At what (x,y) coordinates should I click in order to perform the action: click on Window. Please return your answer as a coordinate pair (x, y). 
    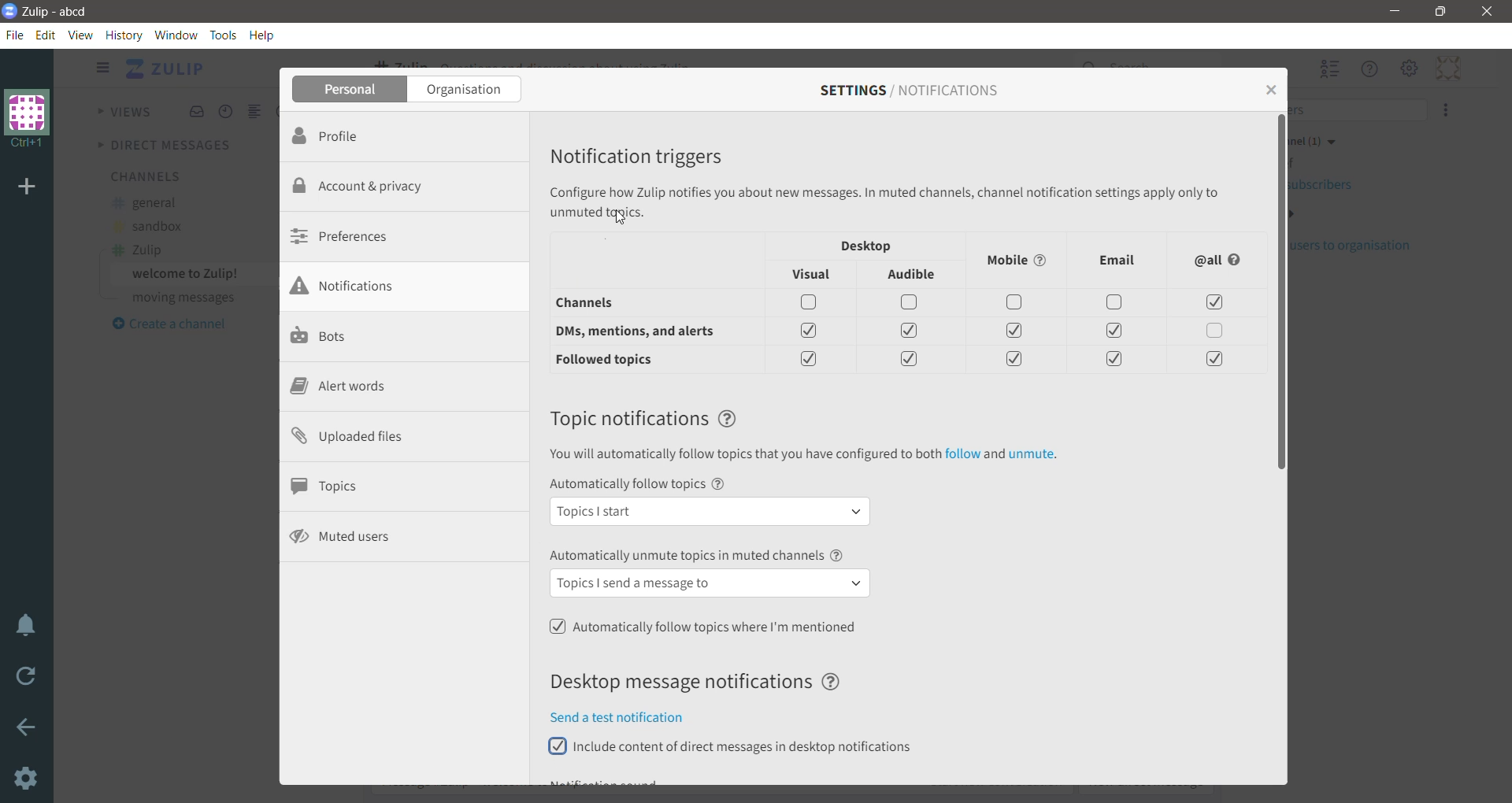
    Looking at the image, I should click on (176, 35).